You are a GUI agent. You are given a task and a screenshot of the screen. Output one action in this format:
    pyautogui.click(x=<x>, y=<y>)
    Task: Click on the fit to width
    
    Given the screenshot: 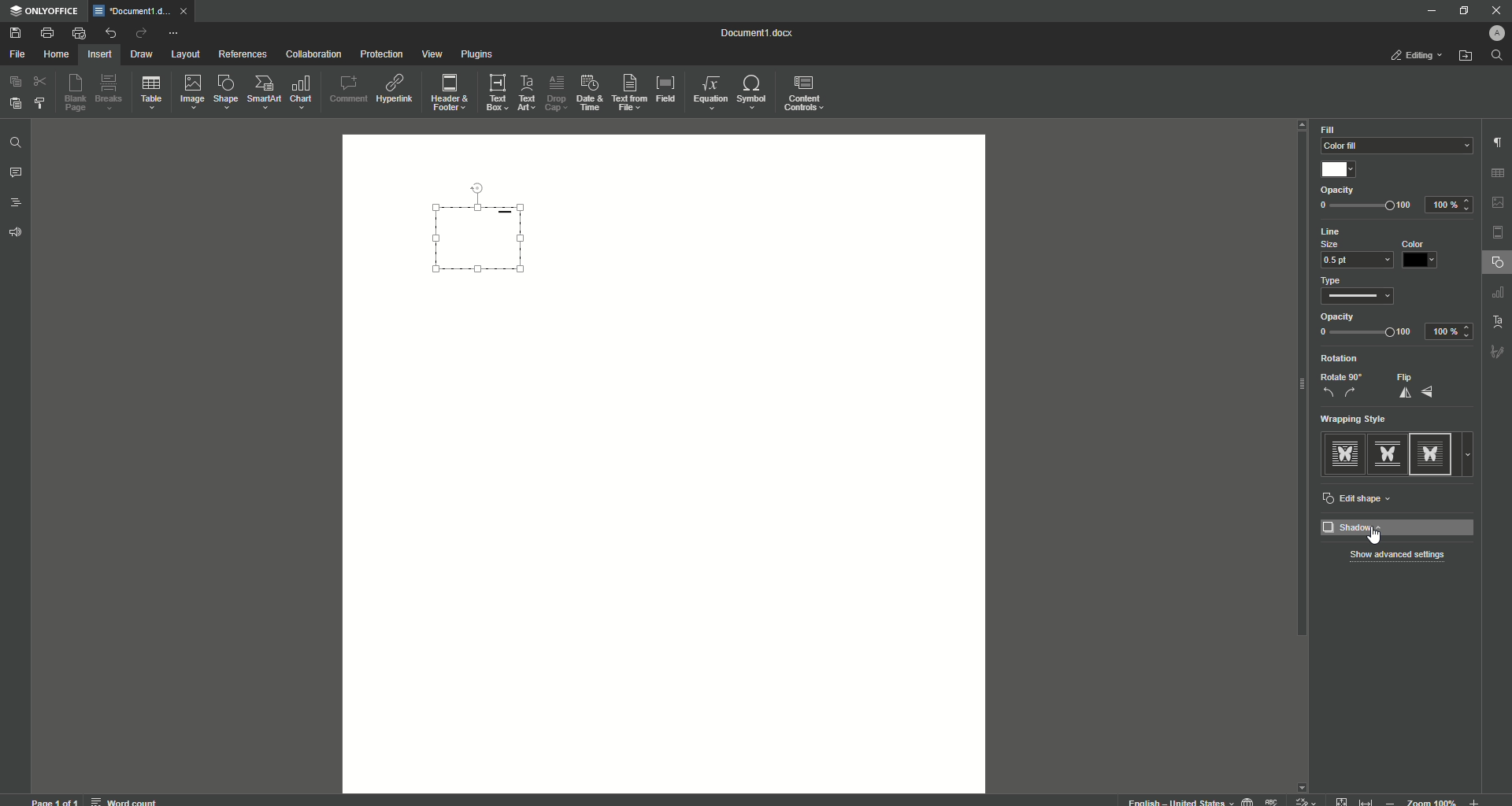 What is the action you would take?
    pyautogui.click(x=1369, y=800)
    